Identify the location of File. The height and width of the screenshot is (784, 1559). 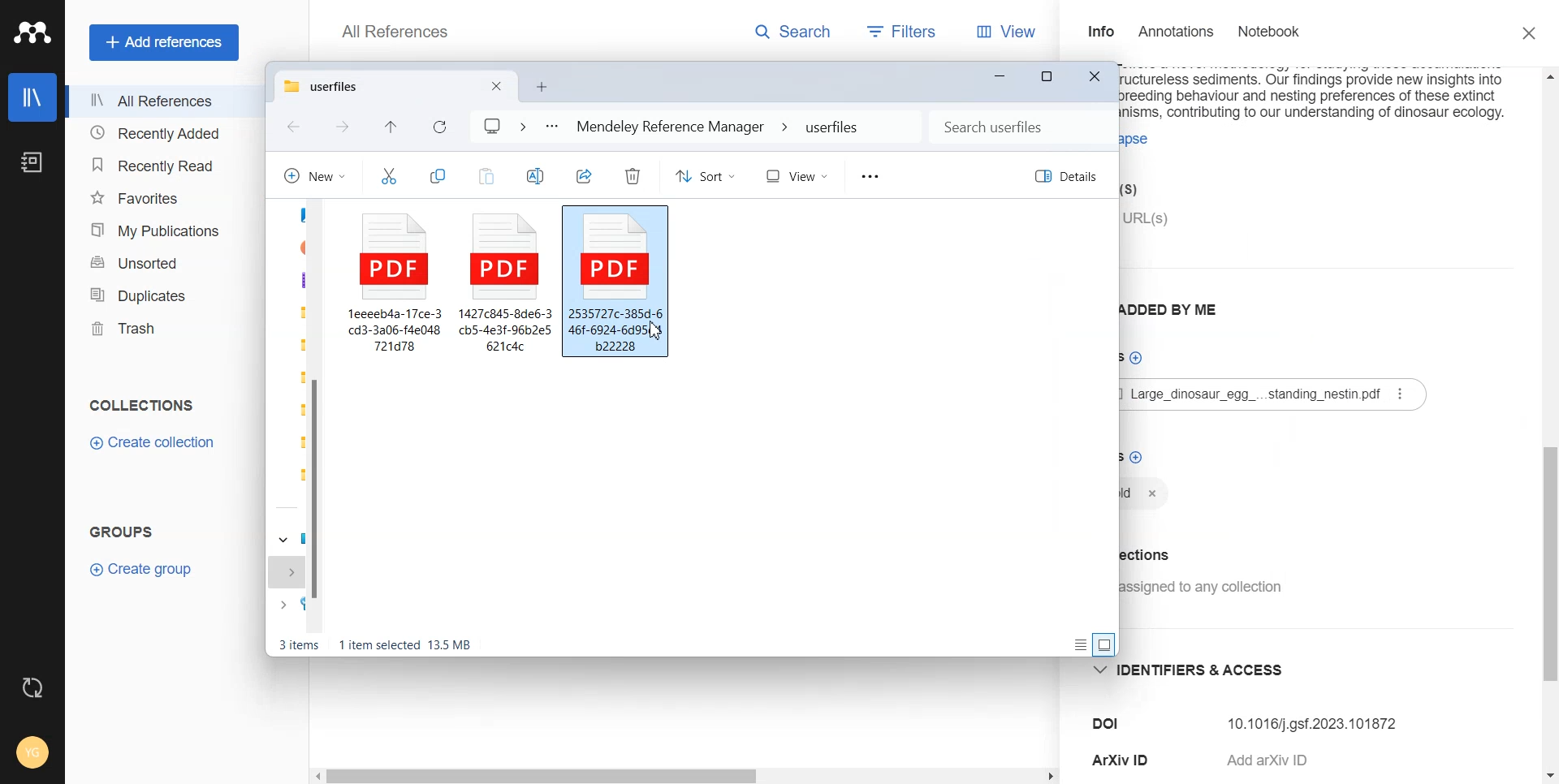
(393, 279).